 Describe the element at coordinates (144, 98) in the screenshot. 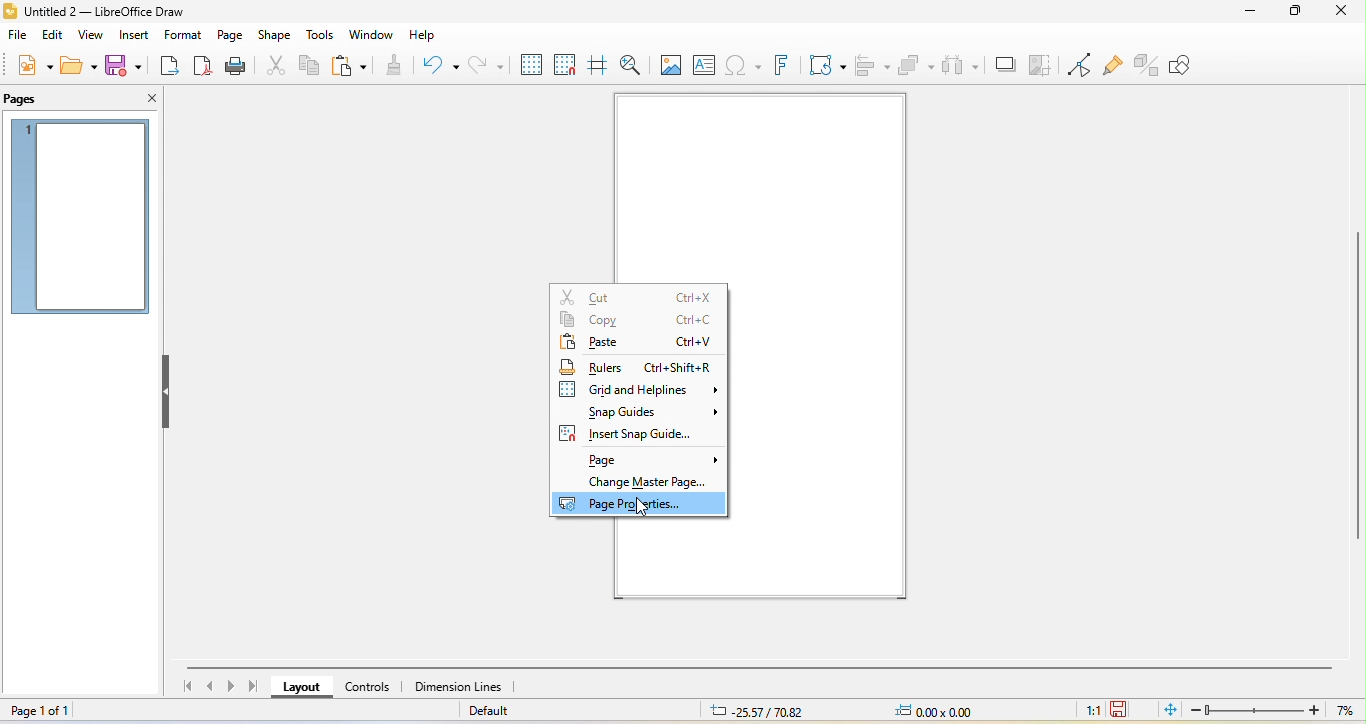

I see `close` at that location.